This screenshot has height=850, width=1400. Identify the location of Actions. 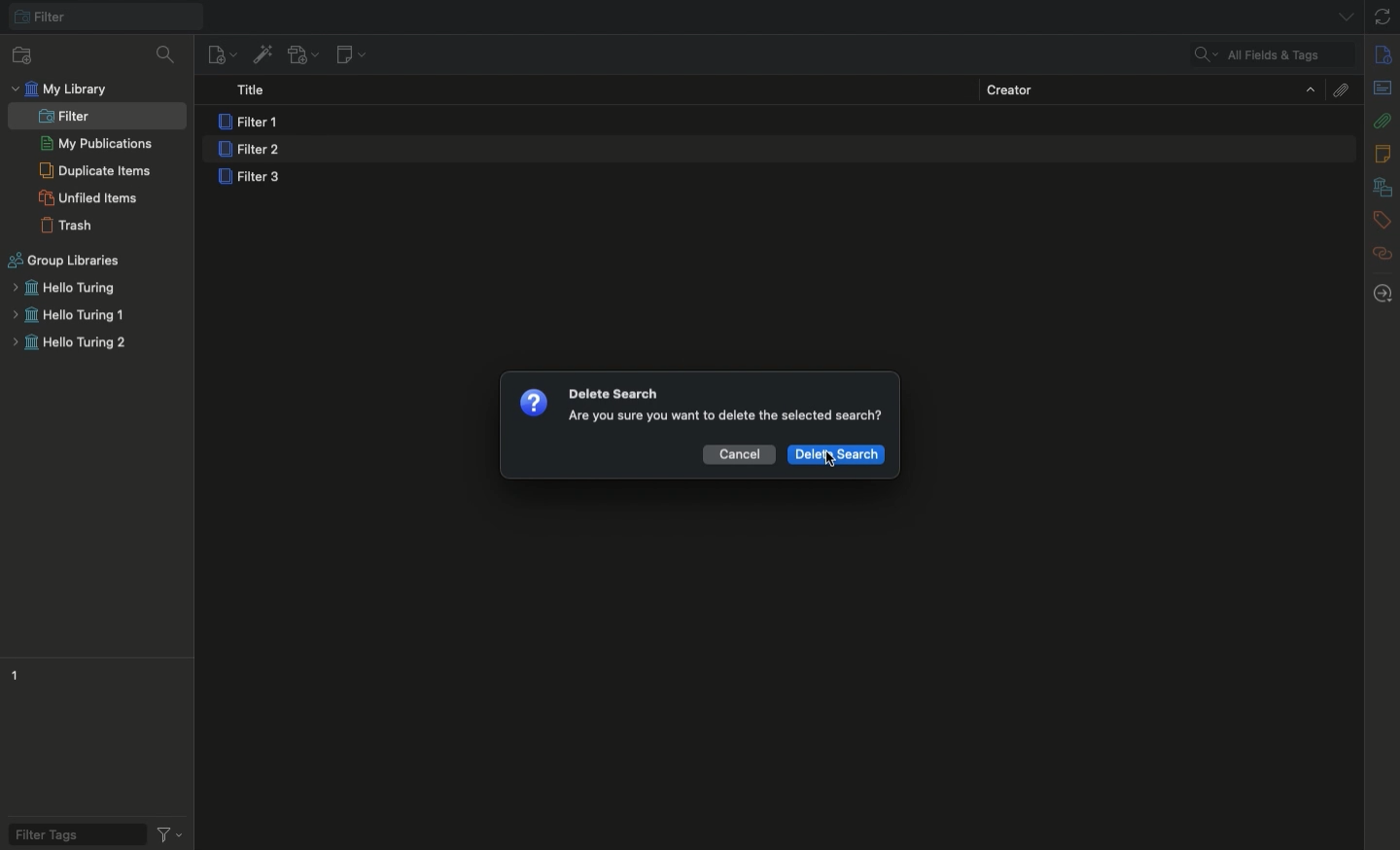
(168, 832).